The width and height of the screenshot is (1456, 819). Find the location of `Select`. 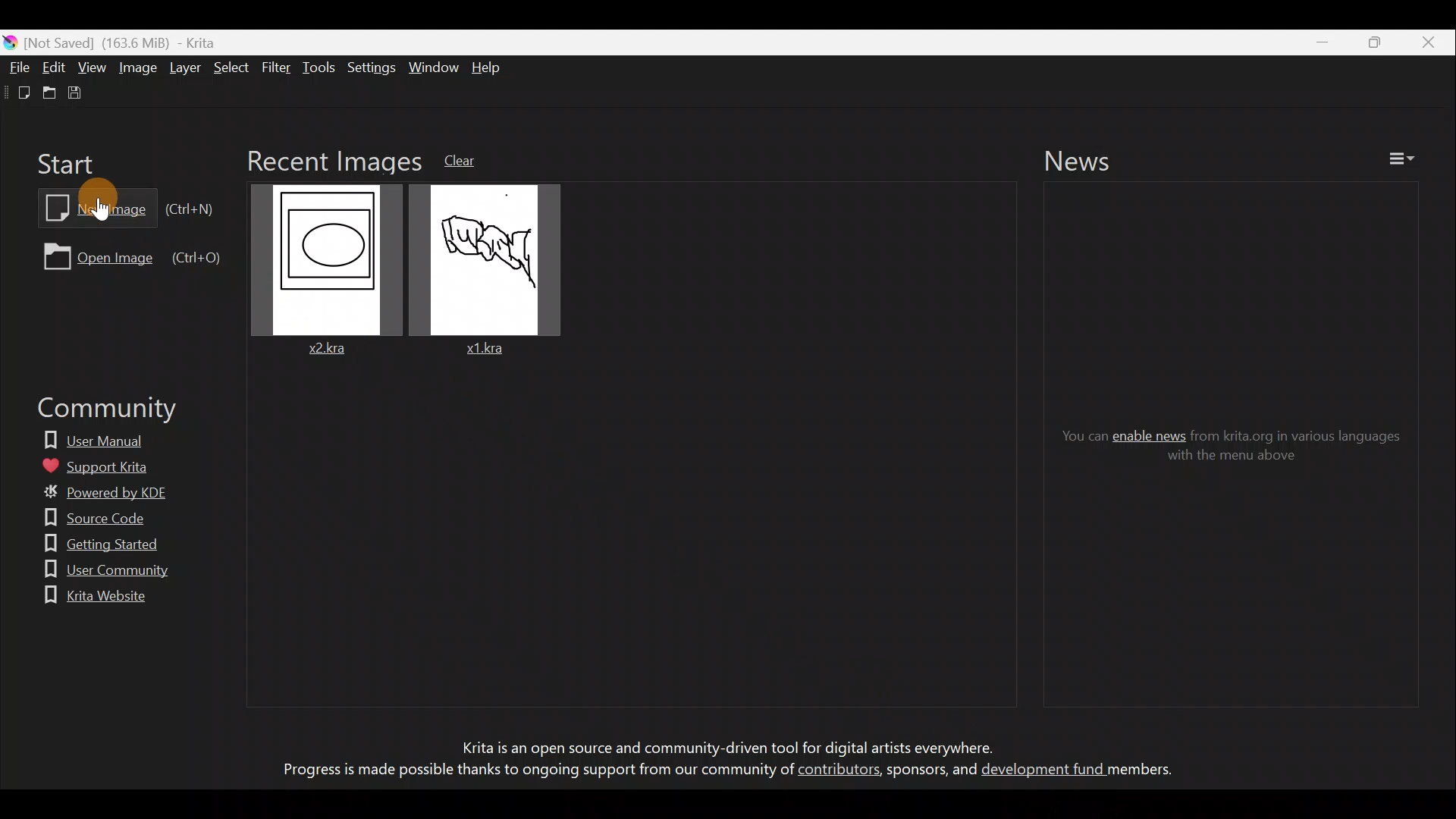

Select is located at coordinates (232, 67).